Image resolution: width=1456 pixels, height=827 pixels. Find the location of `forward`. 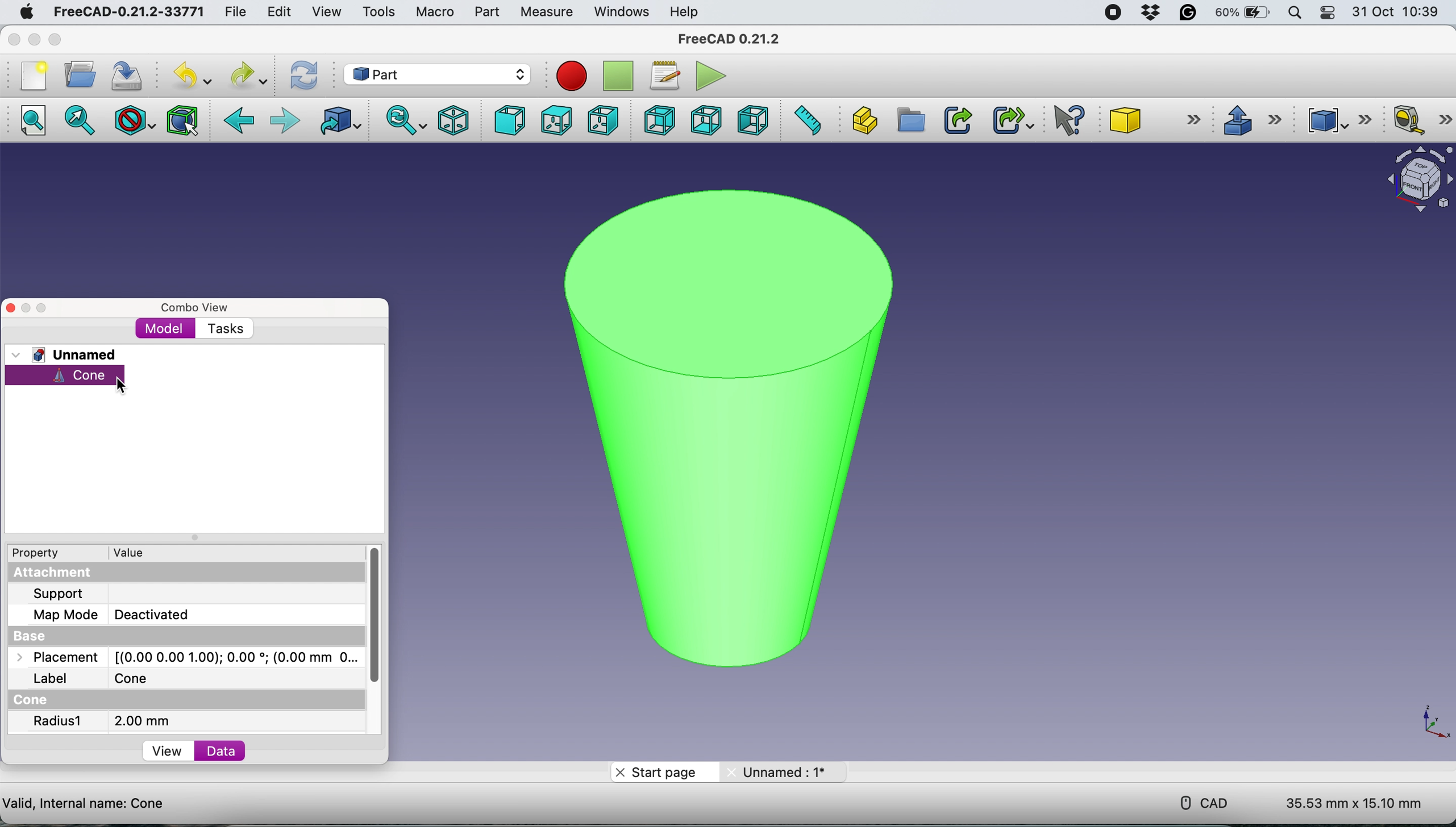

forward is located at coordinates (284, 121).